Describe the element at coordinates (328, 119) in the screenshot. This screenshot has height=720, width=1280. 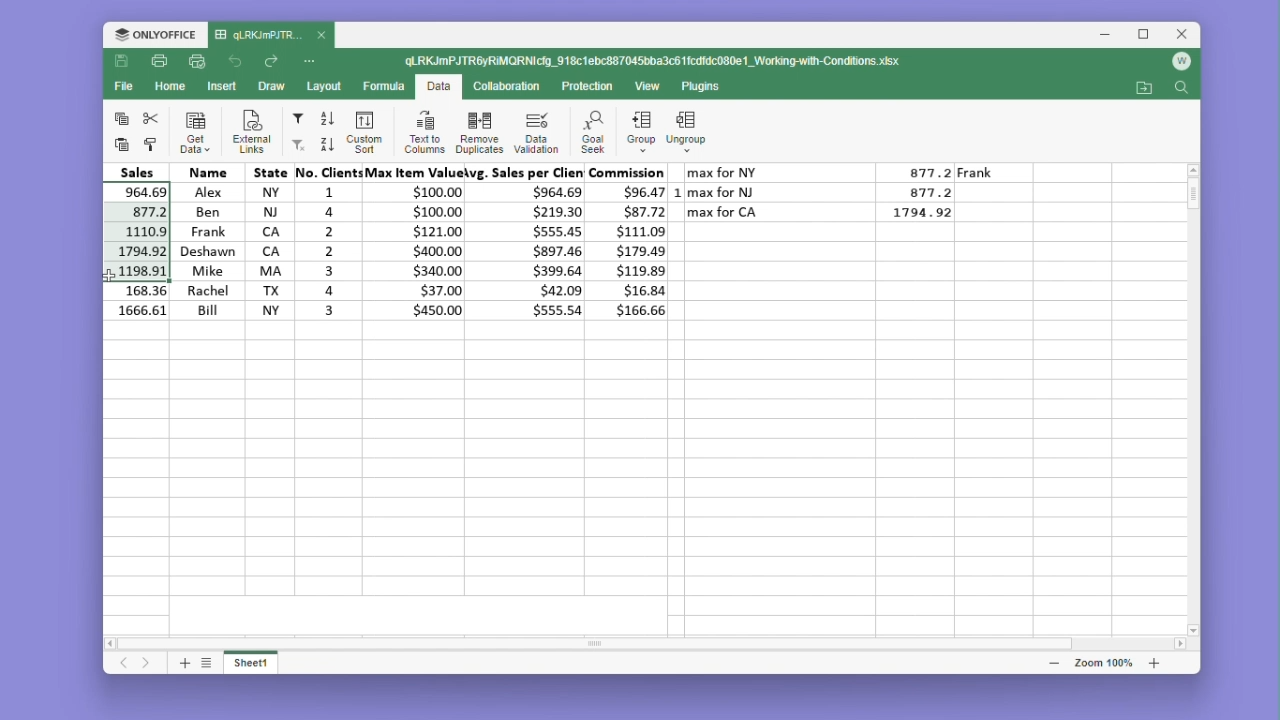
I see `sort ascending` at that location.